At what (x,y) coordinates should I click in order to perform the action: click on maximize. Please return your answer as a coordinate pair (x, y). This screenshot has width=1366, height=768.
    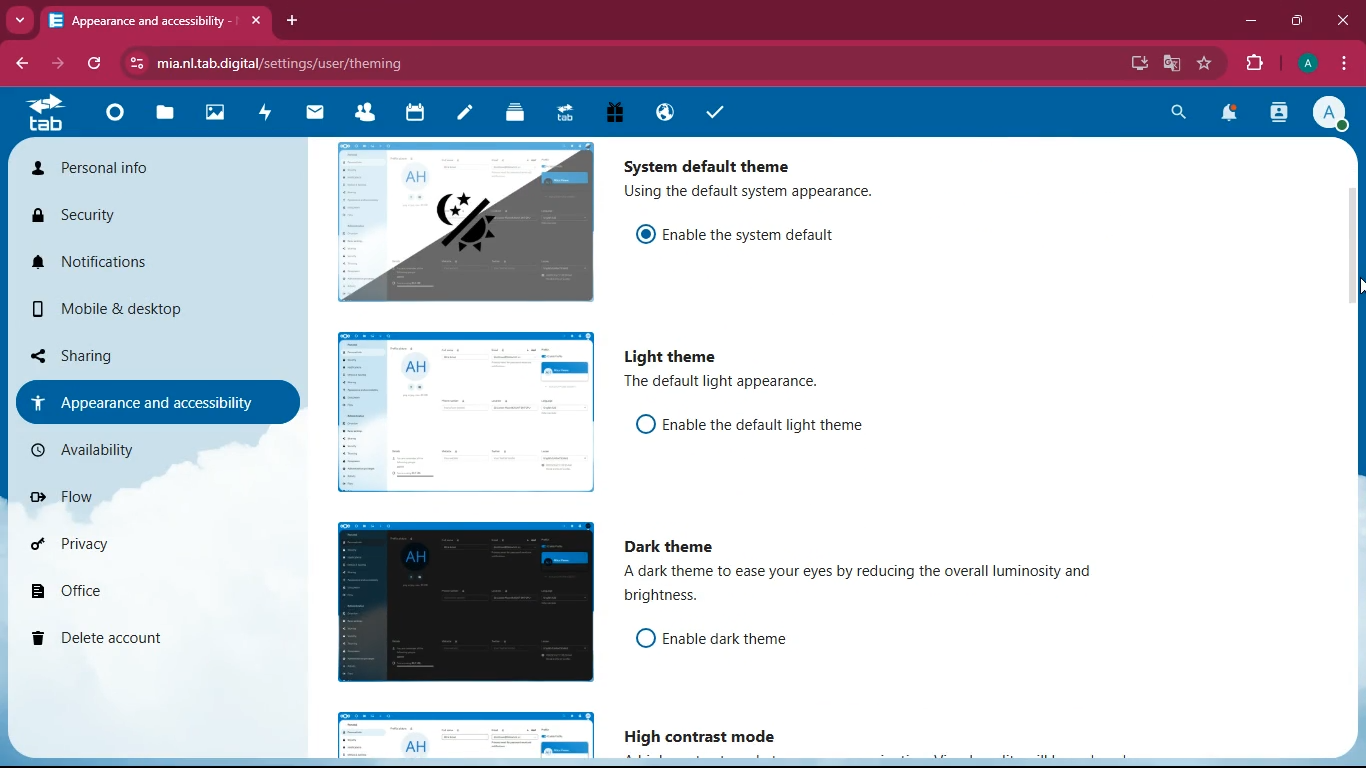
    Looking at the image, I should click on (1299, 21).